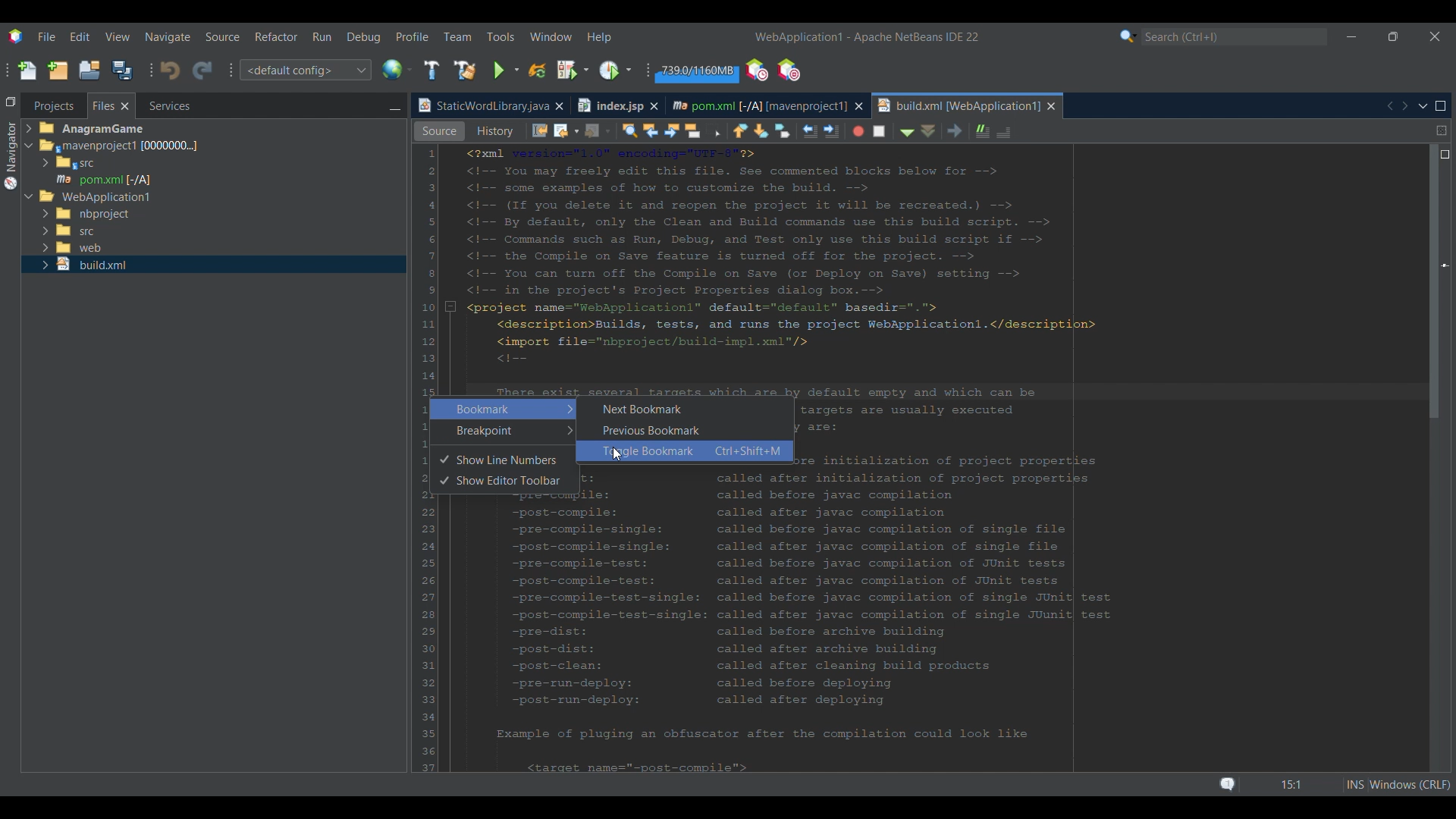 This screenshot has height=819, width=1456. Describe the element at coordinates (46, 36) in the screenshot. I see `File menu` at that location.